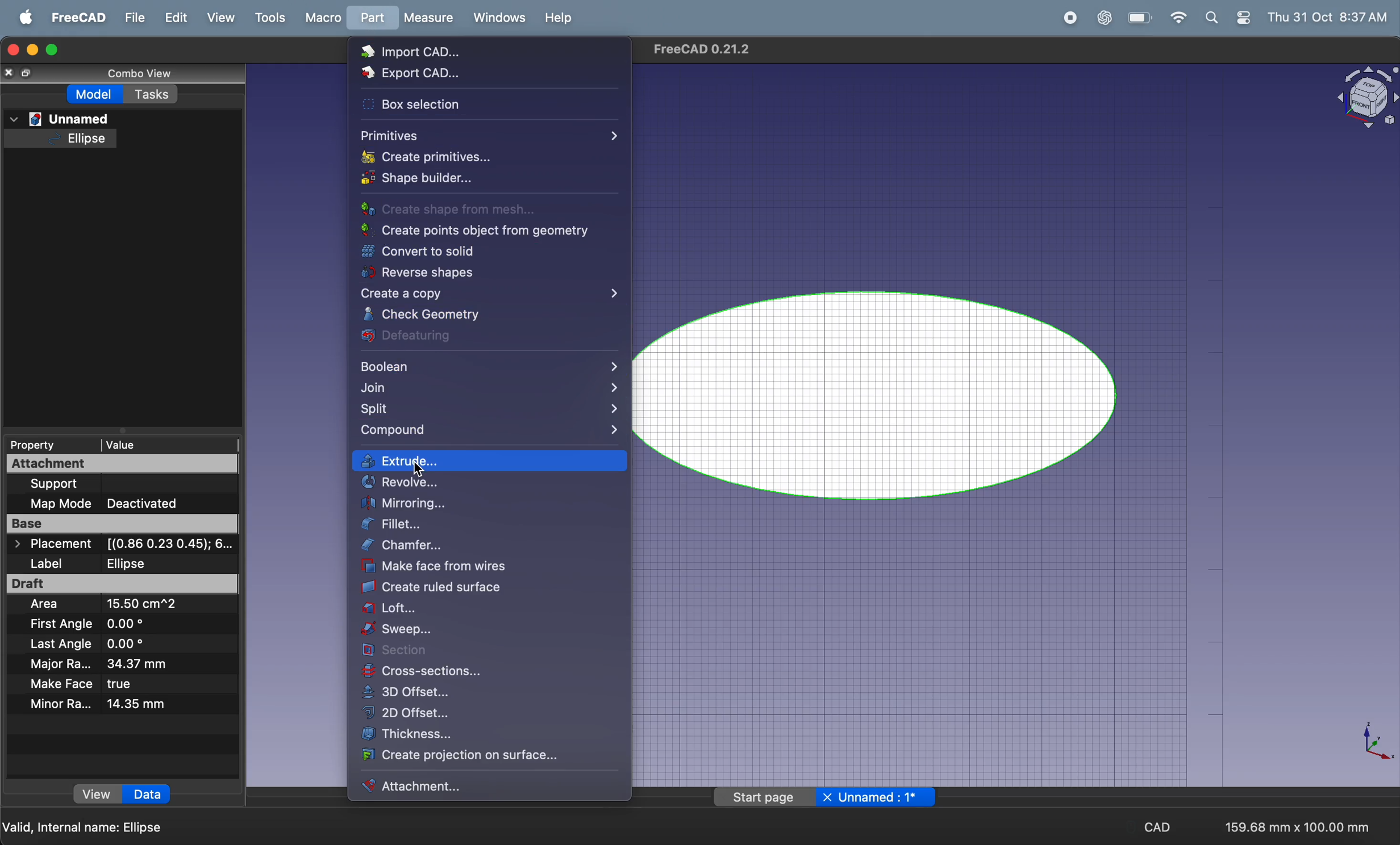  What do you see at coordinates (453, 250) in the screenshot?
I see `convert to soild` at bounding box center [453, 250].